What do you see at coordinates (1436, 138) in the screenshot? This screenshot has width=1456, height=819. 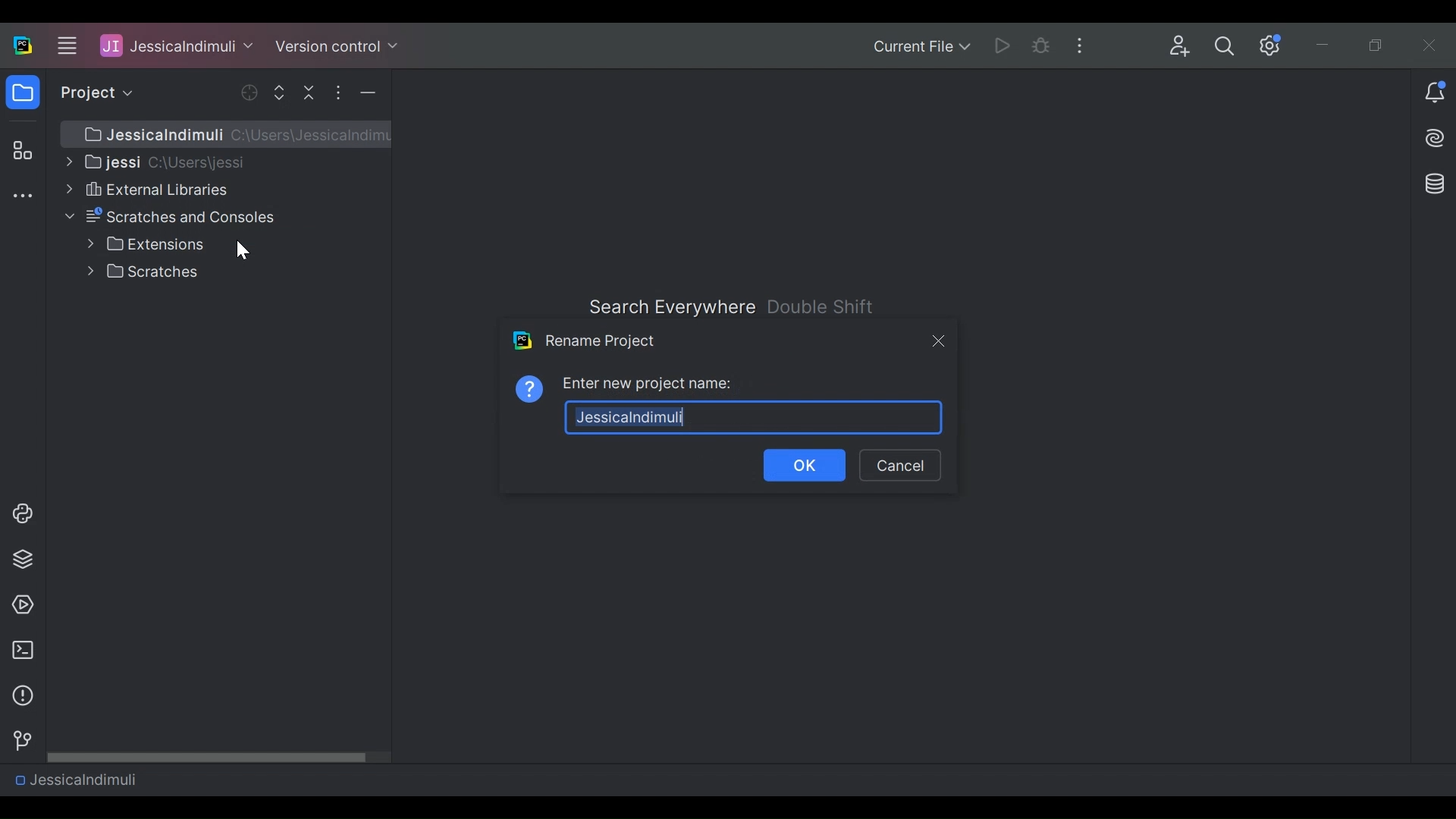 I see `AI Assistant` at bounding box center [1436, 138].